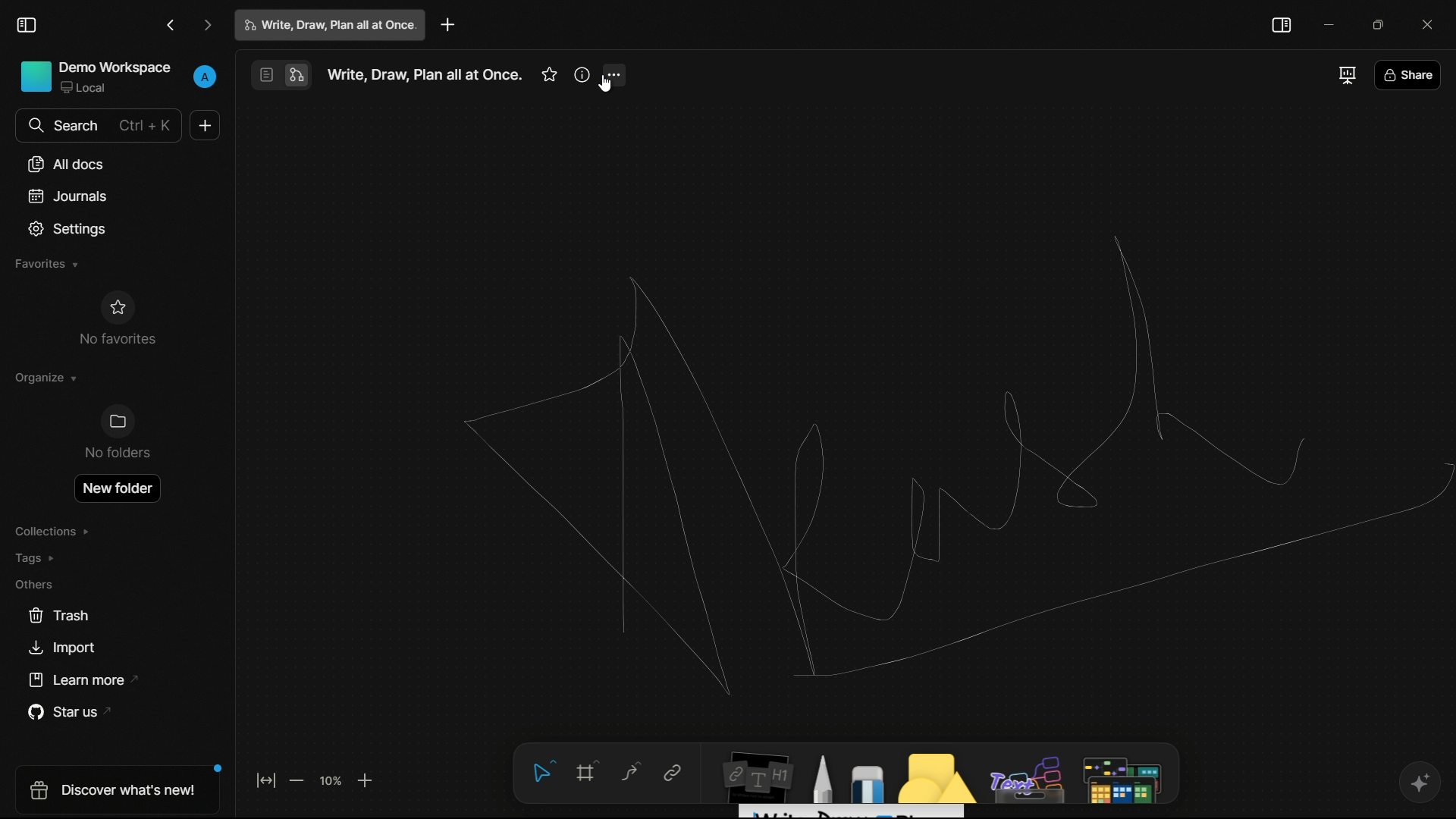 The image size is (1456, 819). I want to click on star us, so click(67, 712).